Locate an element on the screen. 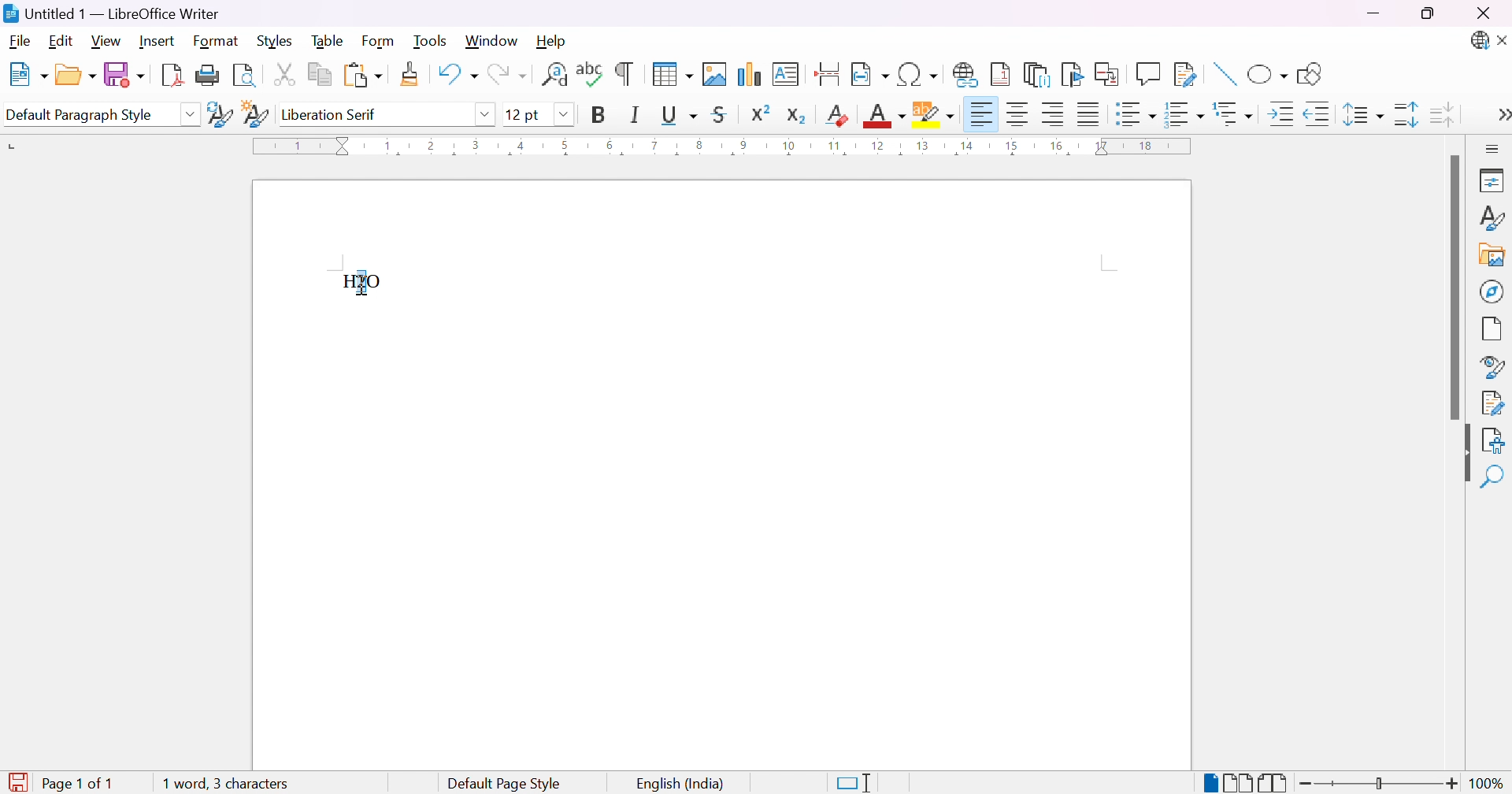 Image resolution: width=1512 pixels, height=794 pixels. Manage check is located at coordinates (1493, 402).